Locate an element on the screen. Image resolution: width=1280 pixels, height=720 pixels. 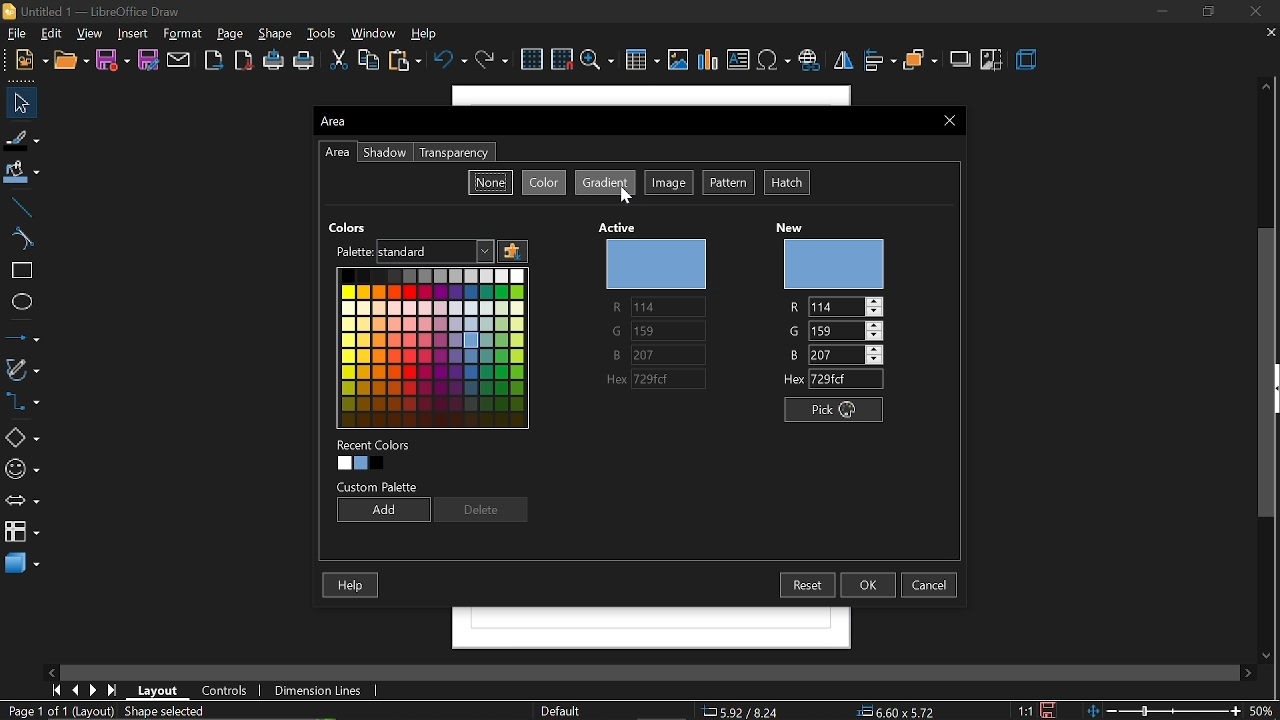
Insert is located at coordinates (134, 34).